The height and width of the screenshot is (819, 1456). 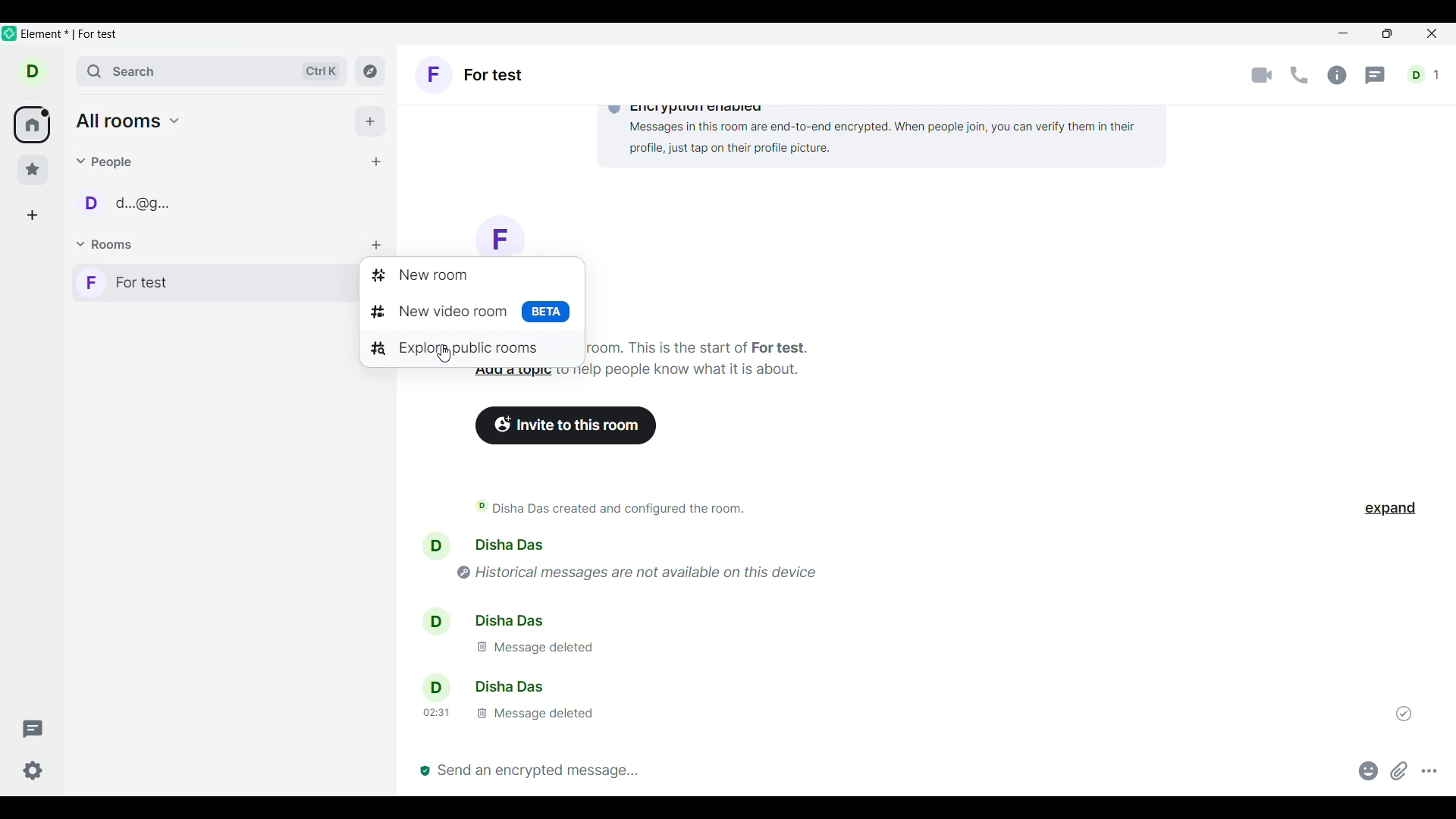 What do you see at coordinates (549, 700) in the screenshot?
I see `Disha Das, Message deleted` at bounding box center [549, 700].